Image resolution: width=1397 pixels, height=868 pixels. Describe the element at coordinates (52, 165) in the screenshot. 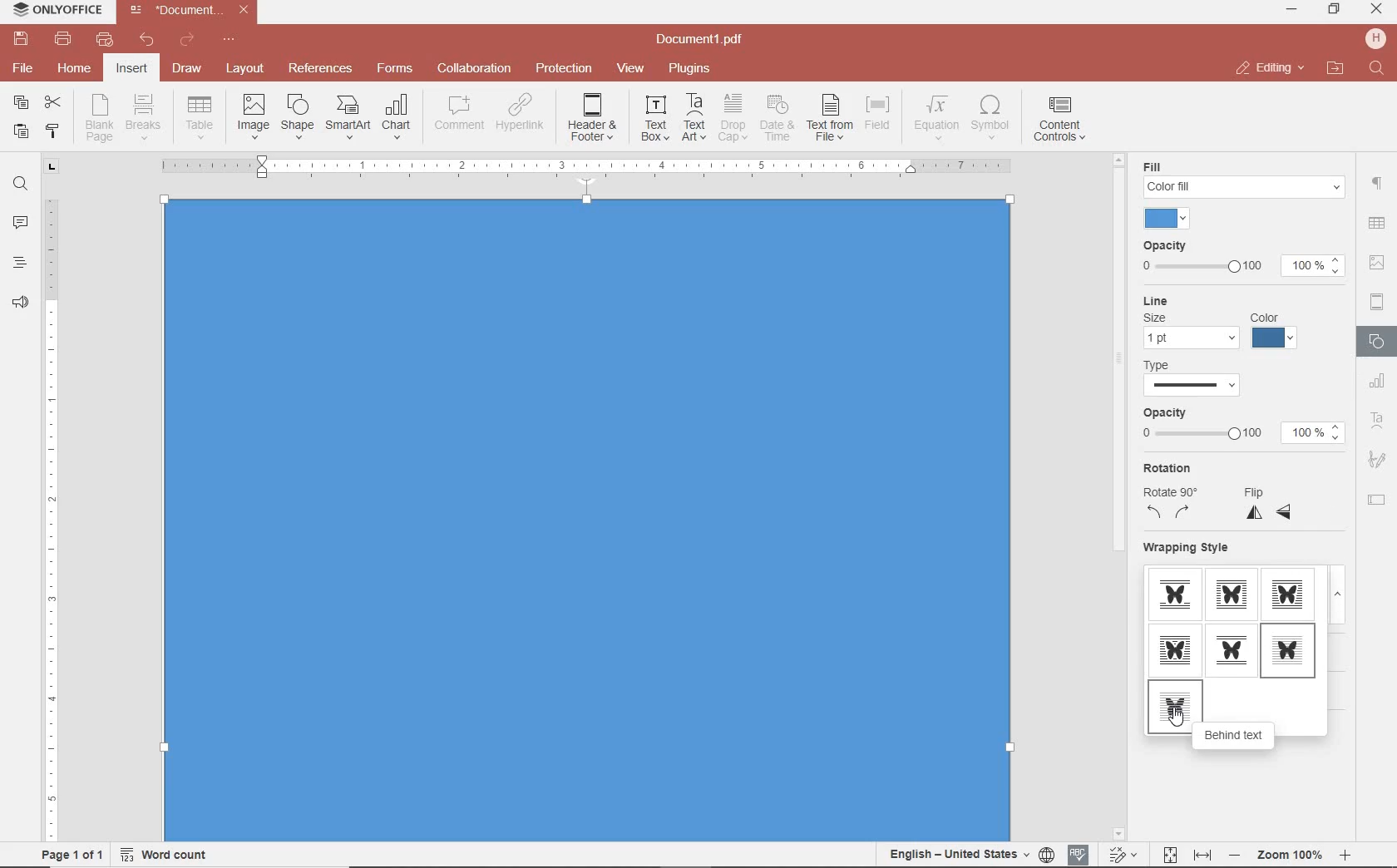

I see `tab stop` at that location.